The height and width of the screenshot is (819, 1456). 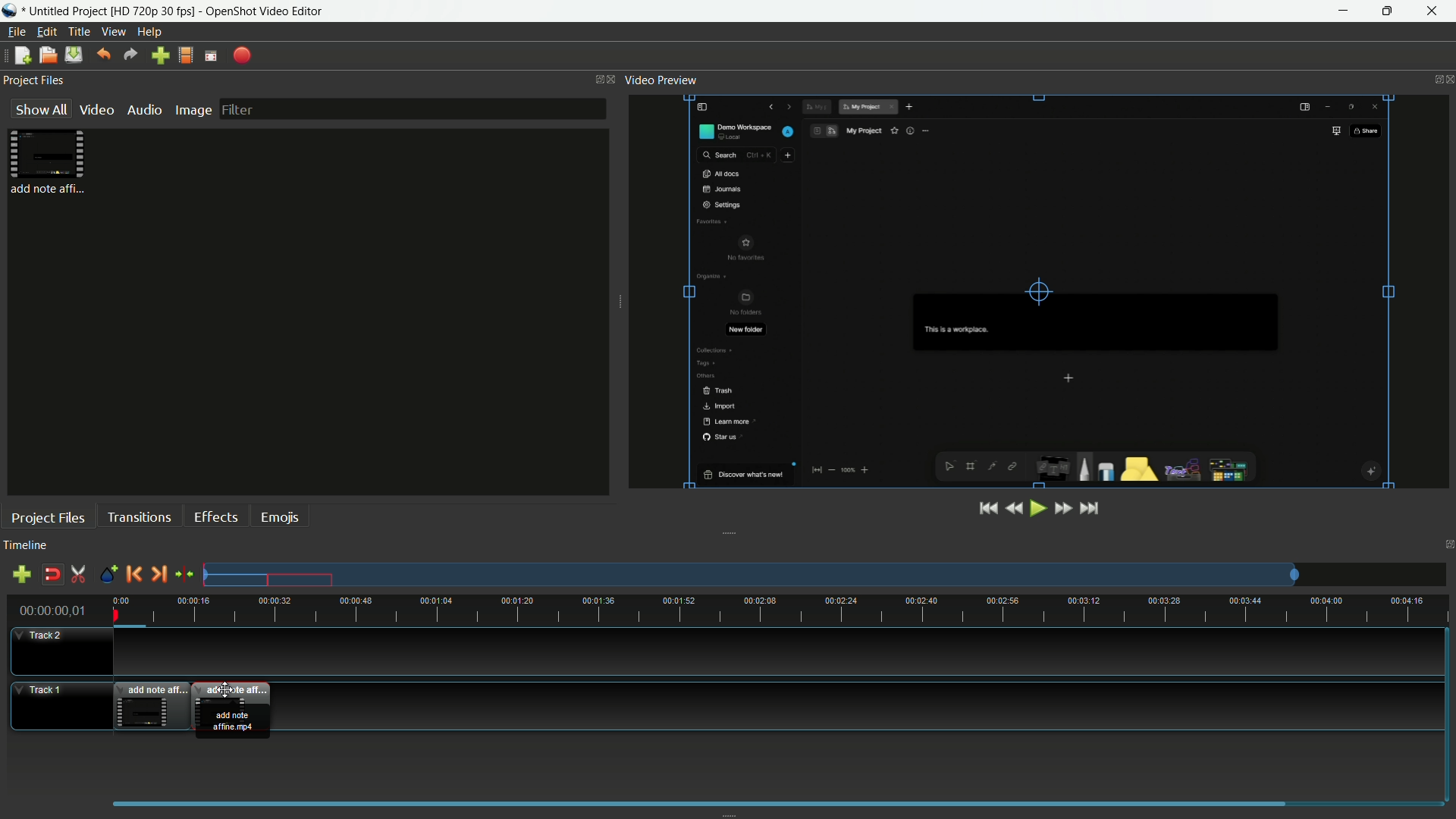 I want to click on jump to end, so click(x=1090, y=509).